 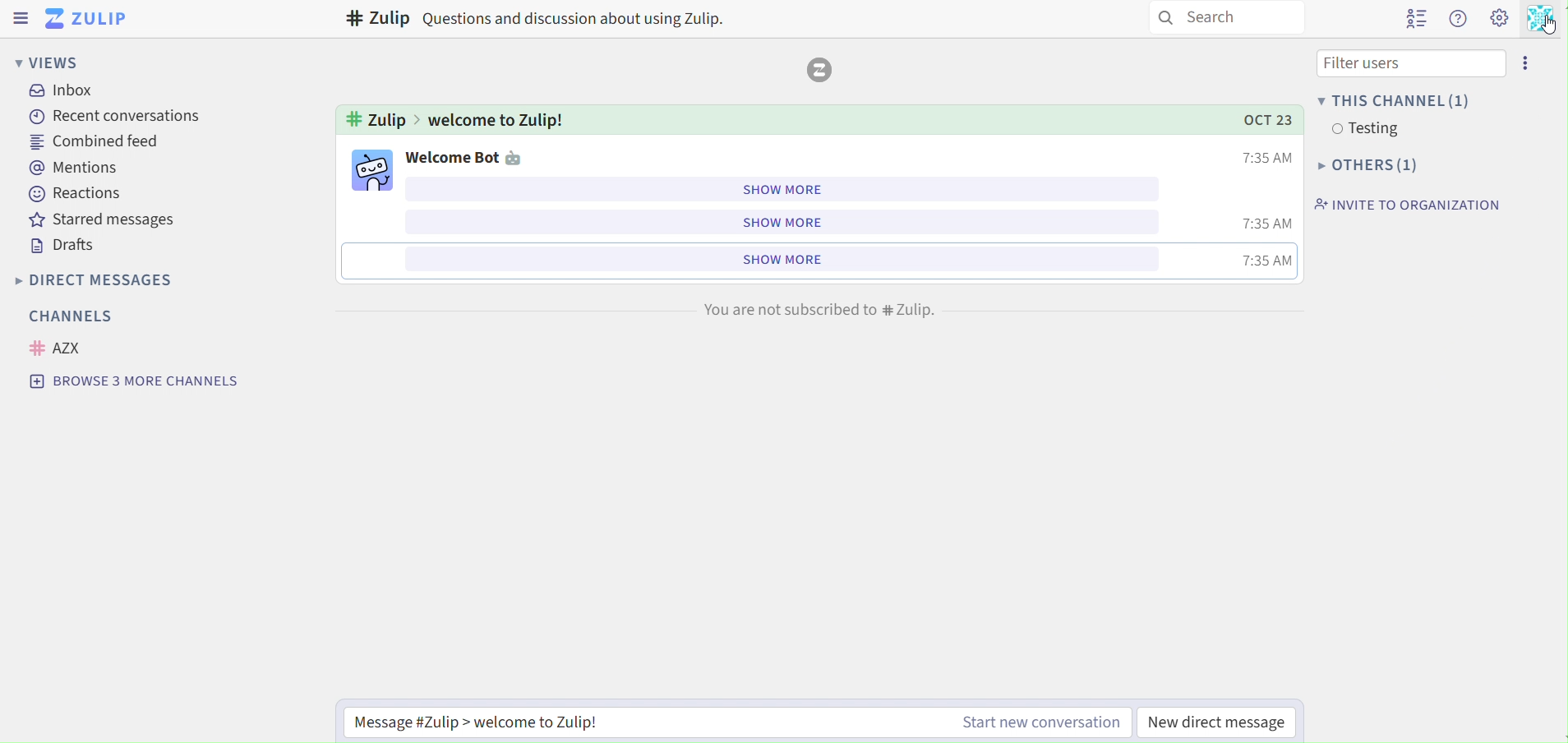 What do you see at coordinates (1403, 205) in the screenshot?
I see `invite to organization` at bounding box center [1403, 205].